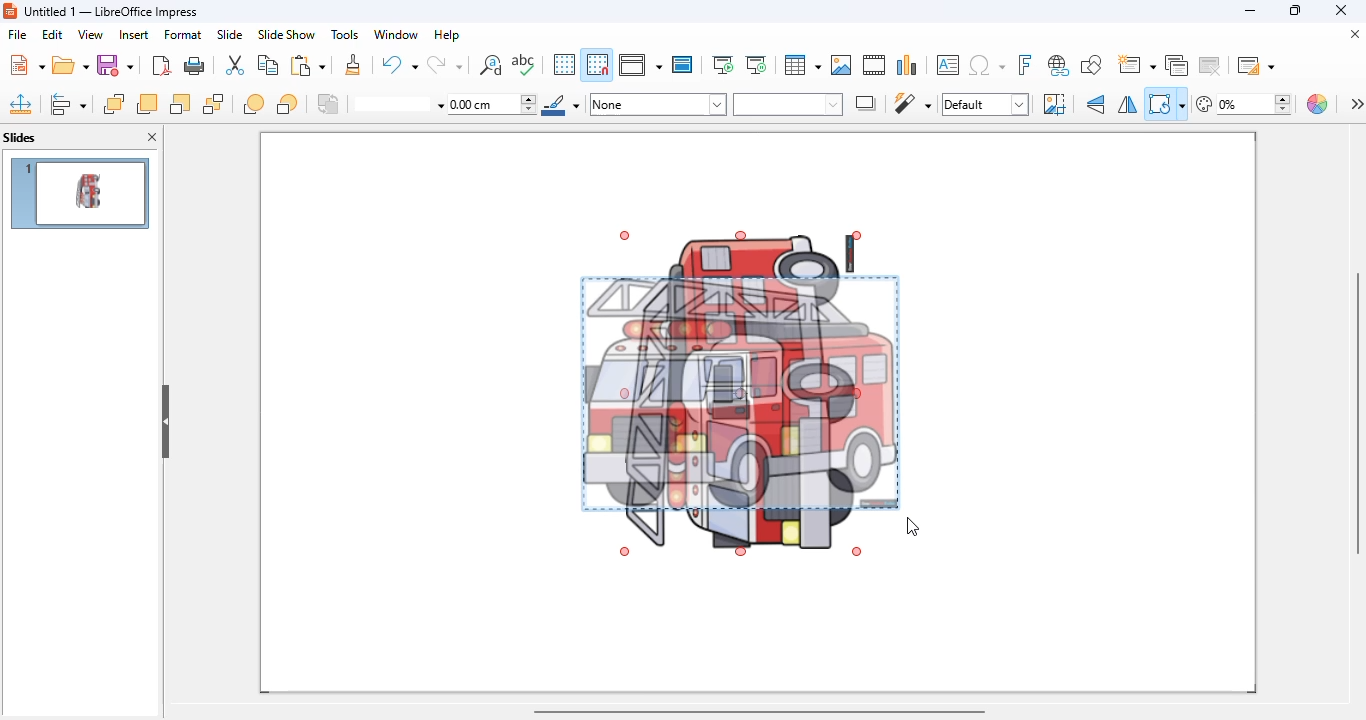 Image resolution: width=1366 pixels, height=720 pixels. Describe the element at coordinates (1054, 104) in the screenshot. I see `crop image` at that location.